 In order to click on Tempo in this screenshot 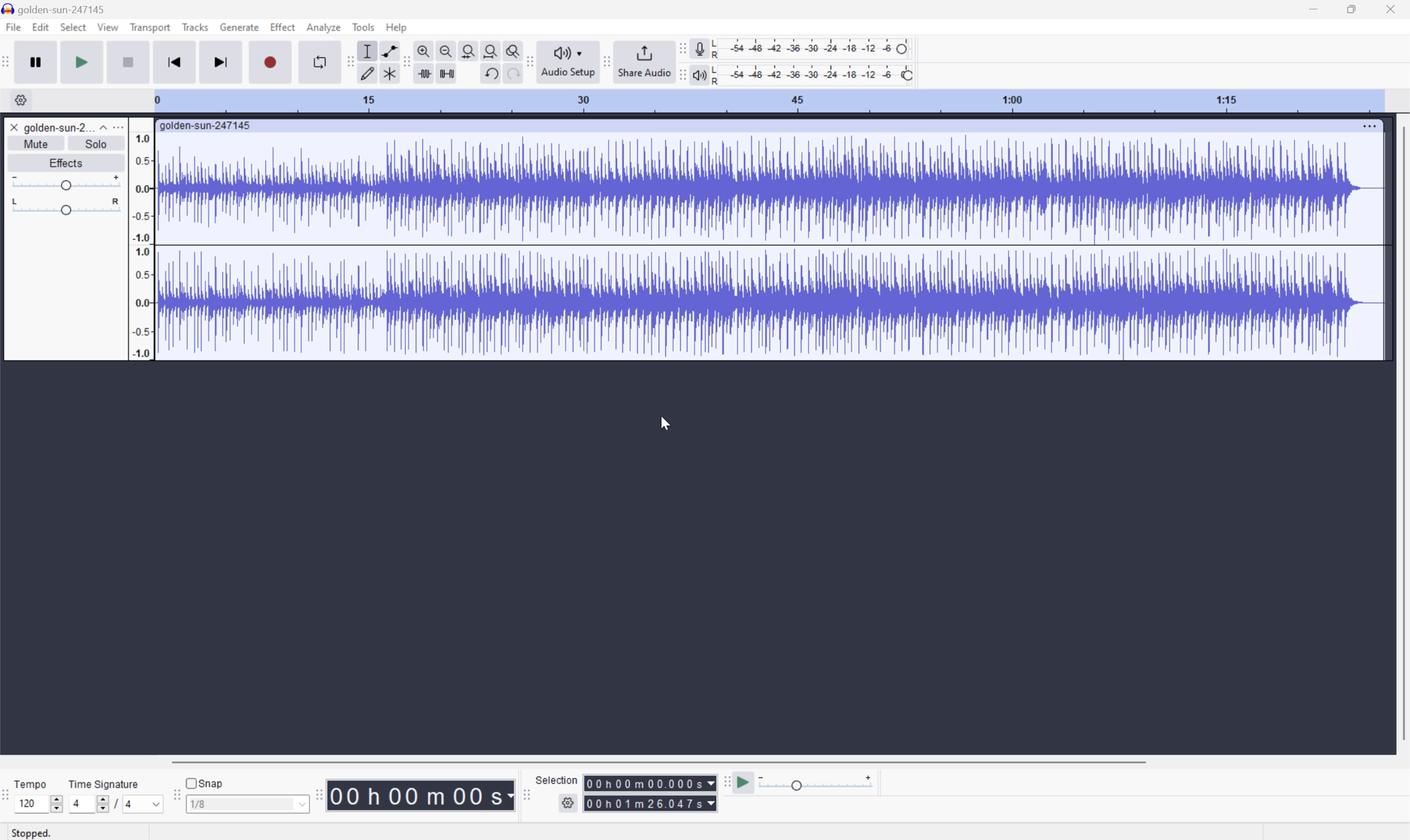, I will do `click(31, 783)`.